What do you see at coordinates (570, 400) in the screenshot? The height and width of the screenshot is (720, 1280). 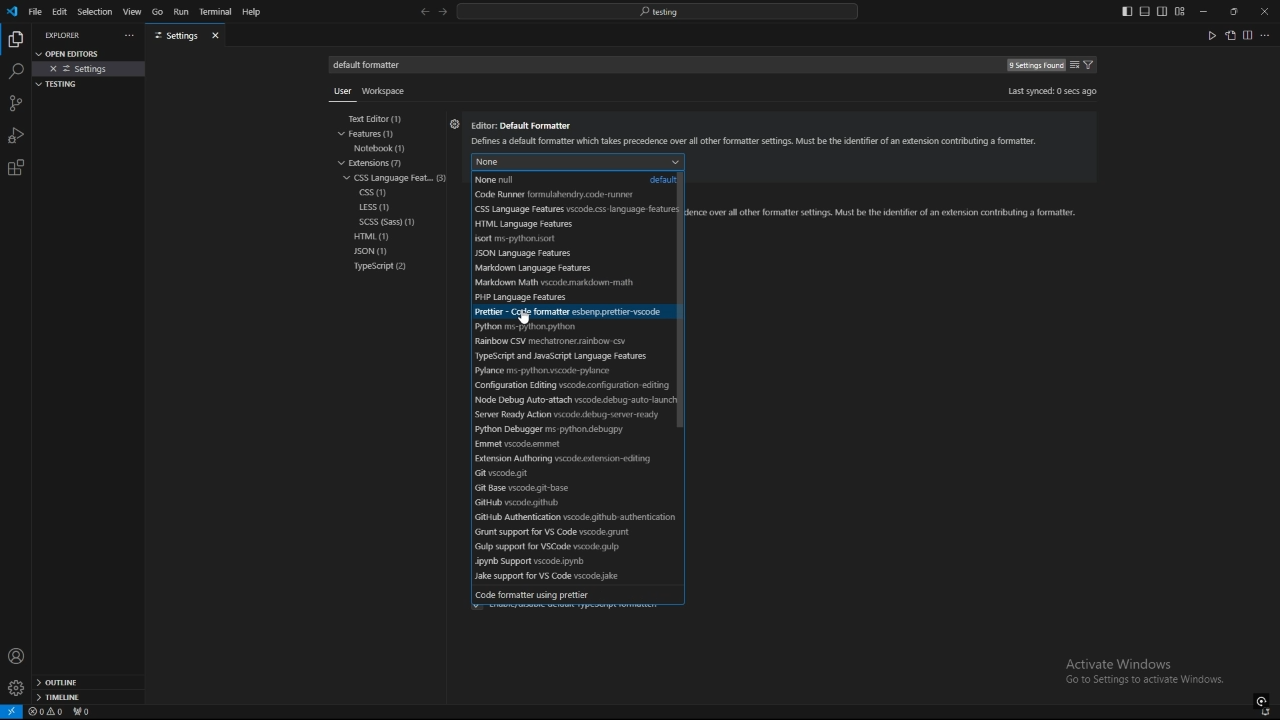 I see `node debug and auto attach` at bounding box center [570, 400].